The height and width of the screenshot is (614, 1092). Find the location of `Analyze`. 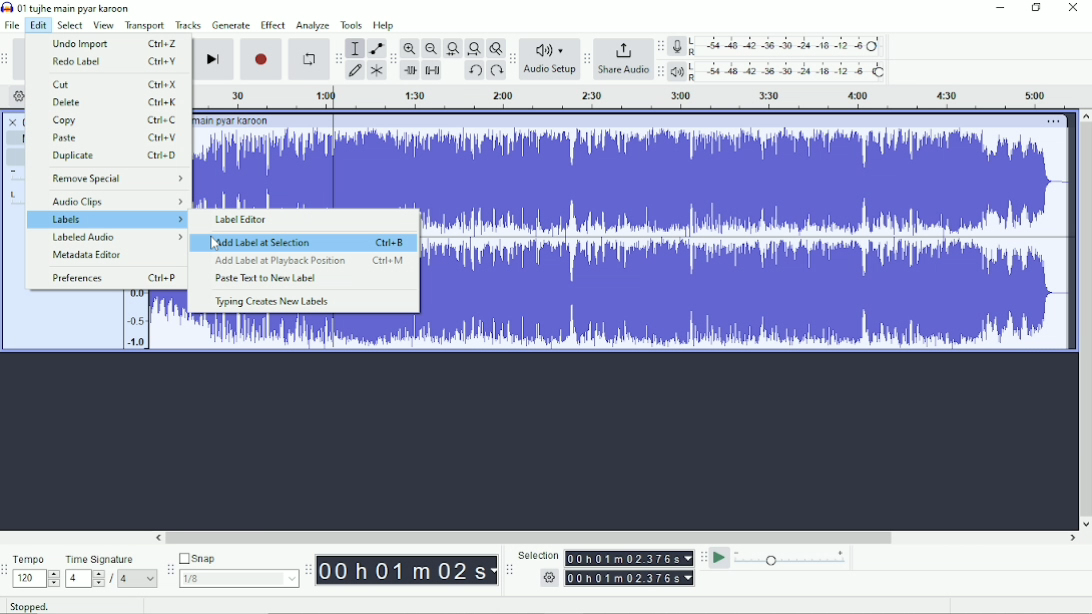

Analyze is located at coordinates (314, 26).